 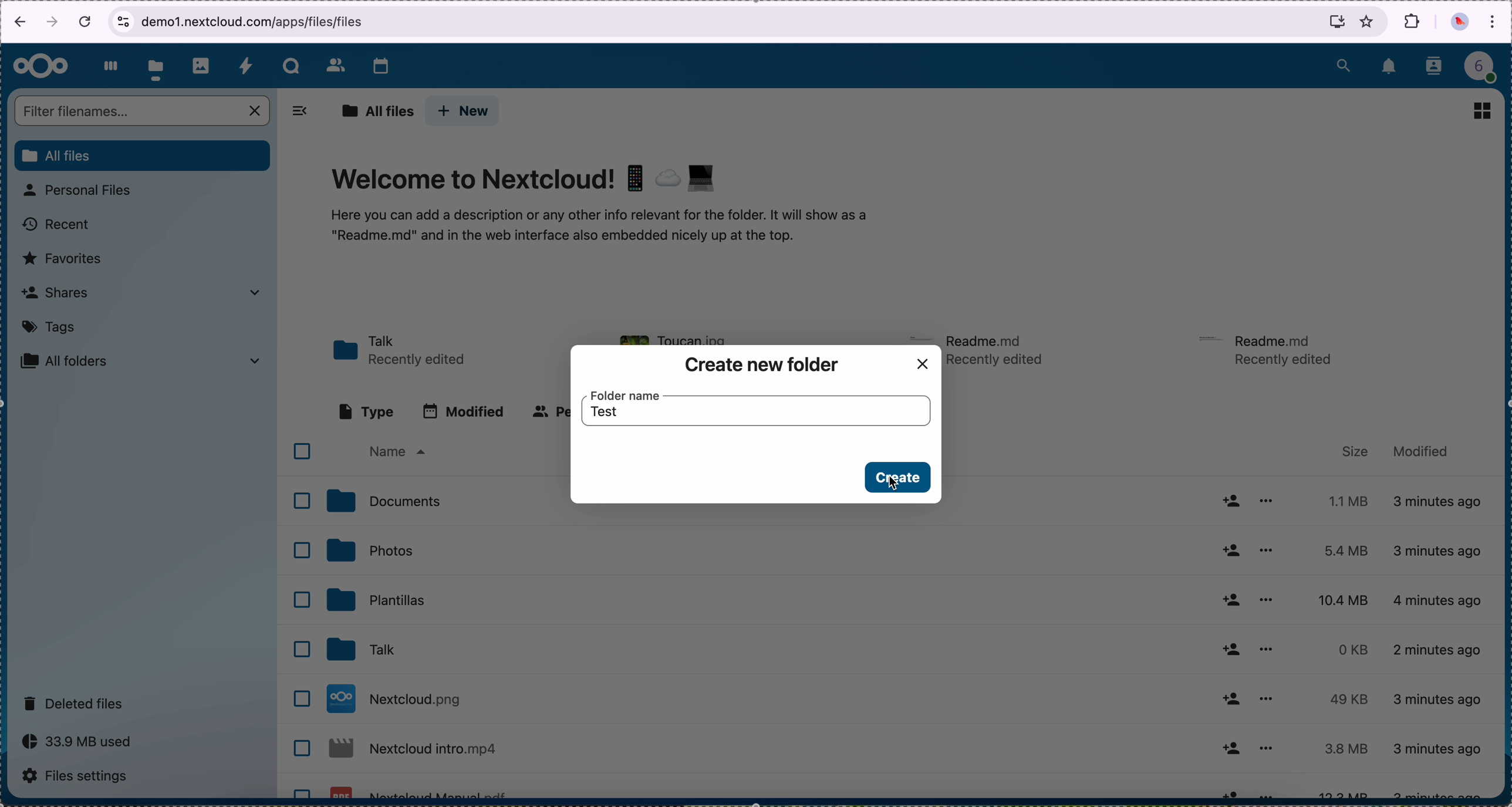 I want to click on Welcome to Nextcloud, so click(x=526, y=181).